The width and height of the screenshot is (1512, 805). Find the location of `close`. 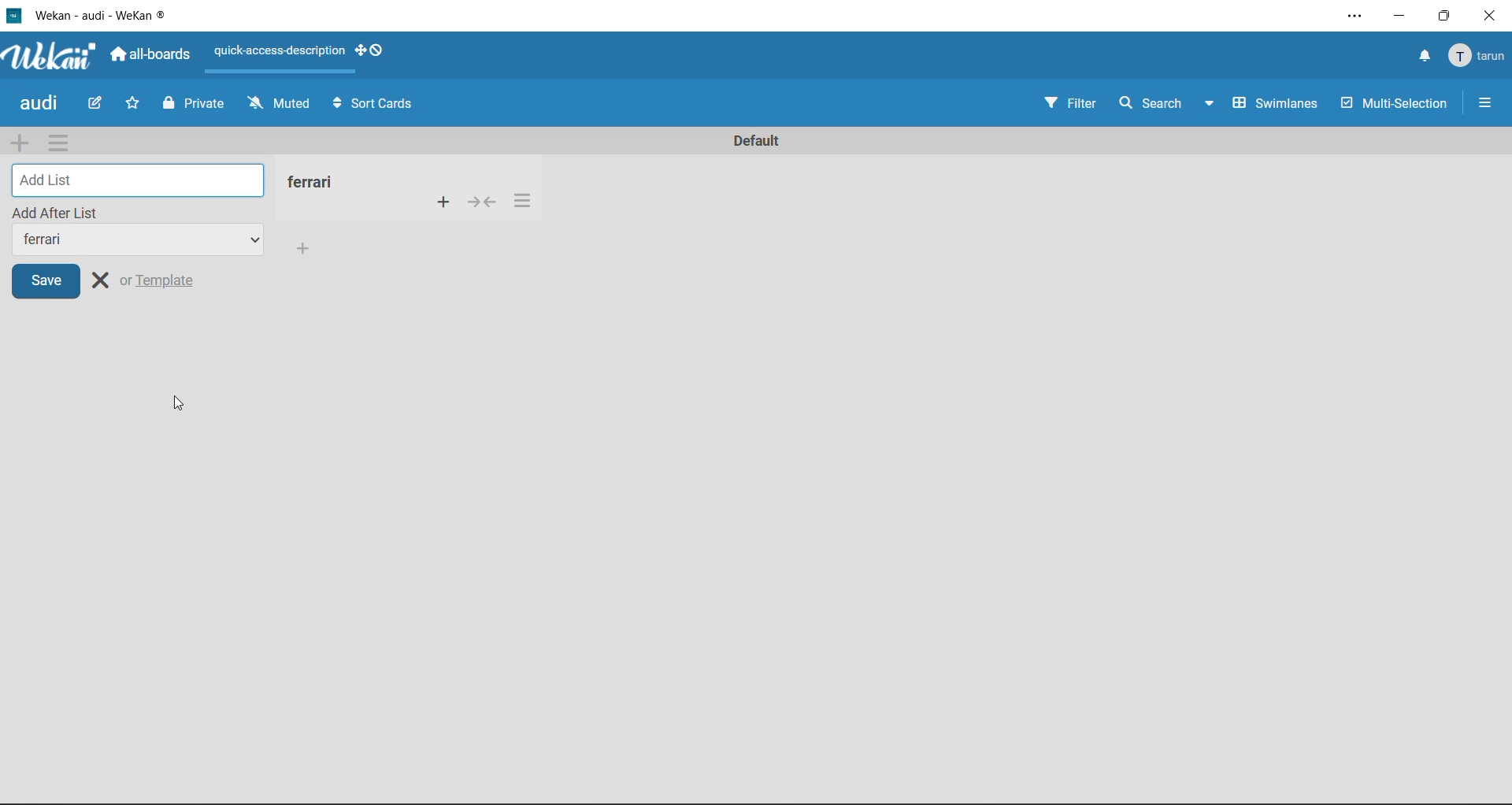

close is located at coordinates (100, 280).